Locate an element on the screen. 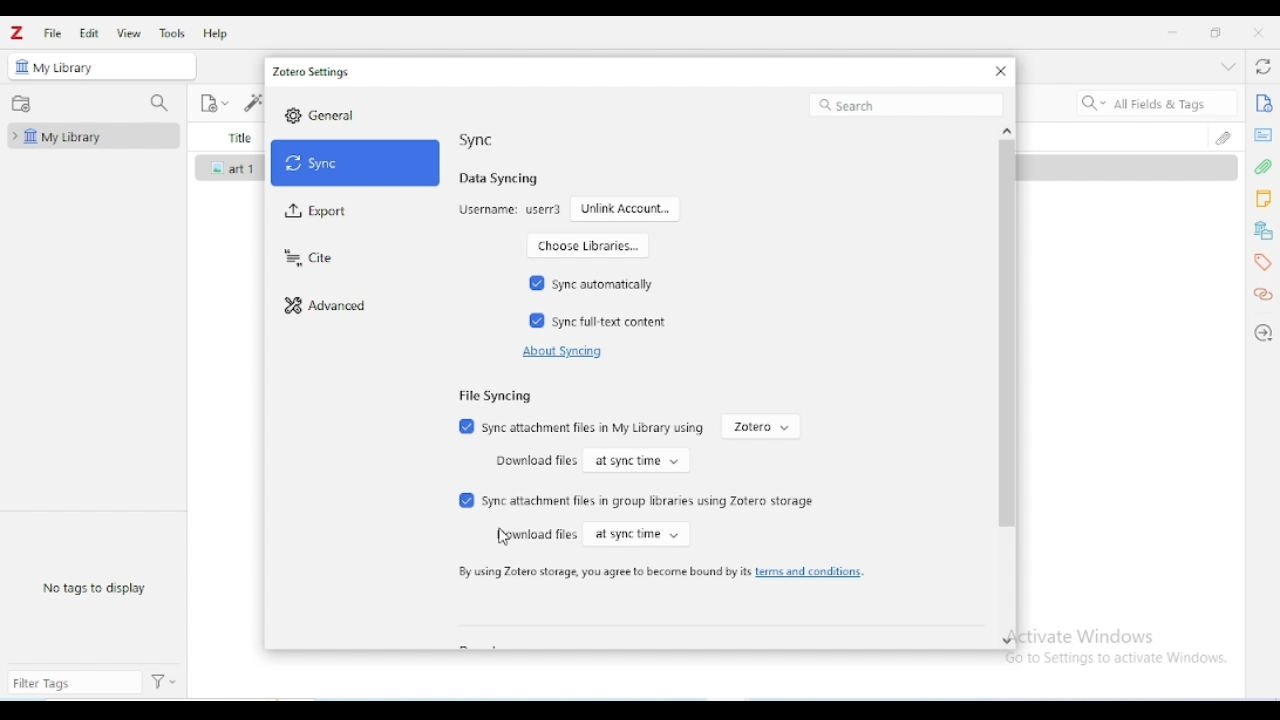 Image resolution: width=1280 pixels, height=720 pixels. by using zotero storage, you agree to become bound by its is located at coordinates (604, 572).